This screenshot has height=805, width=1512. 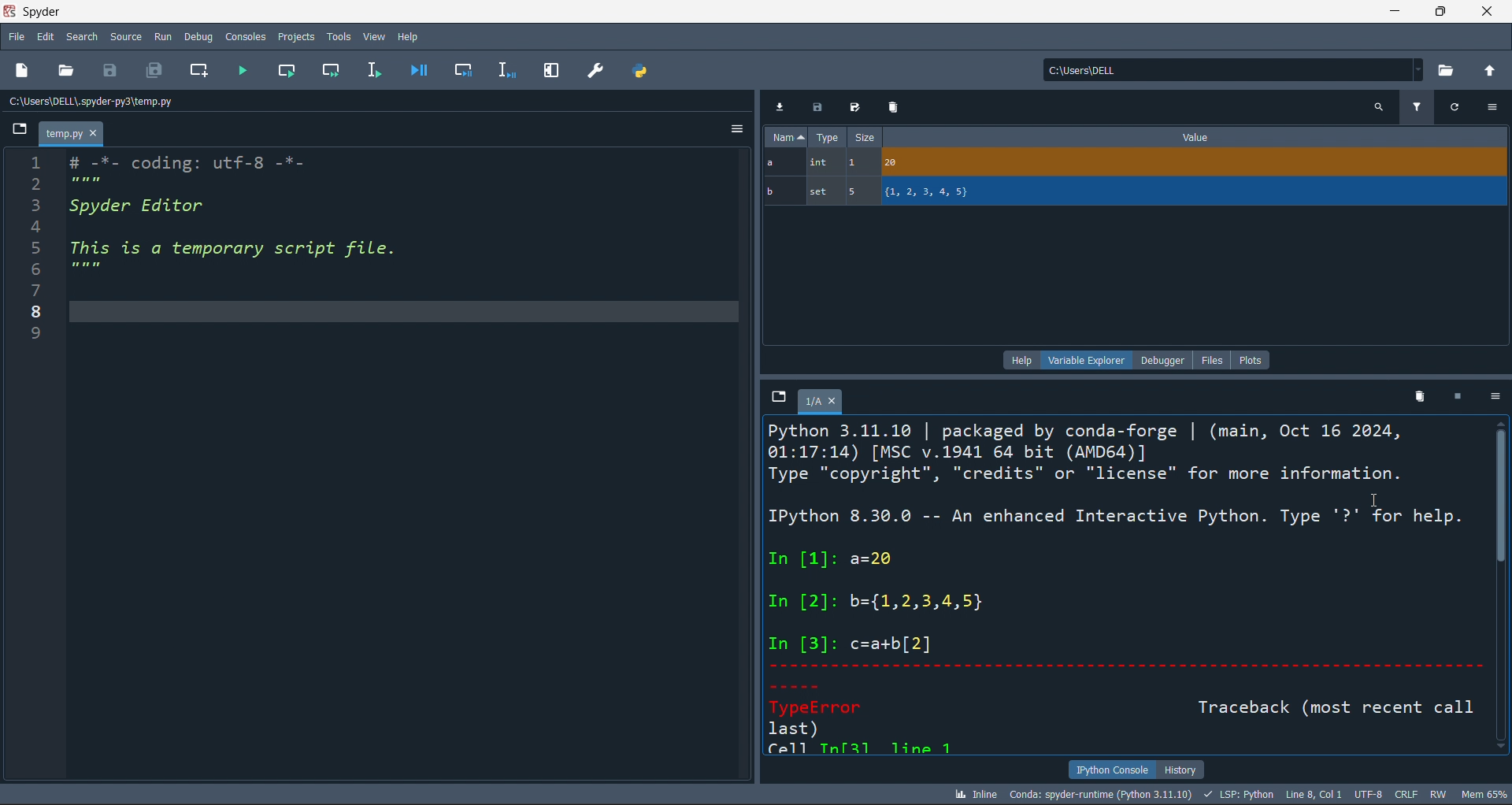 I want to click on debug line, so click(x=504, y=69).